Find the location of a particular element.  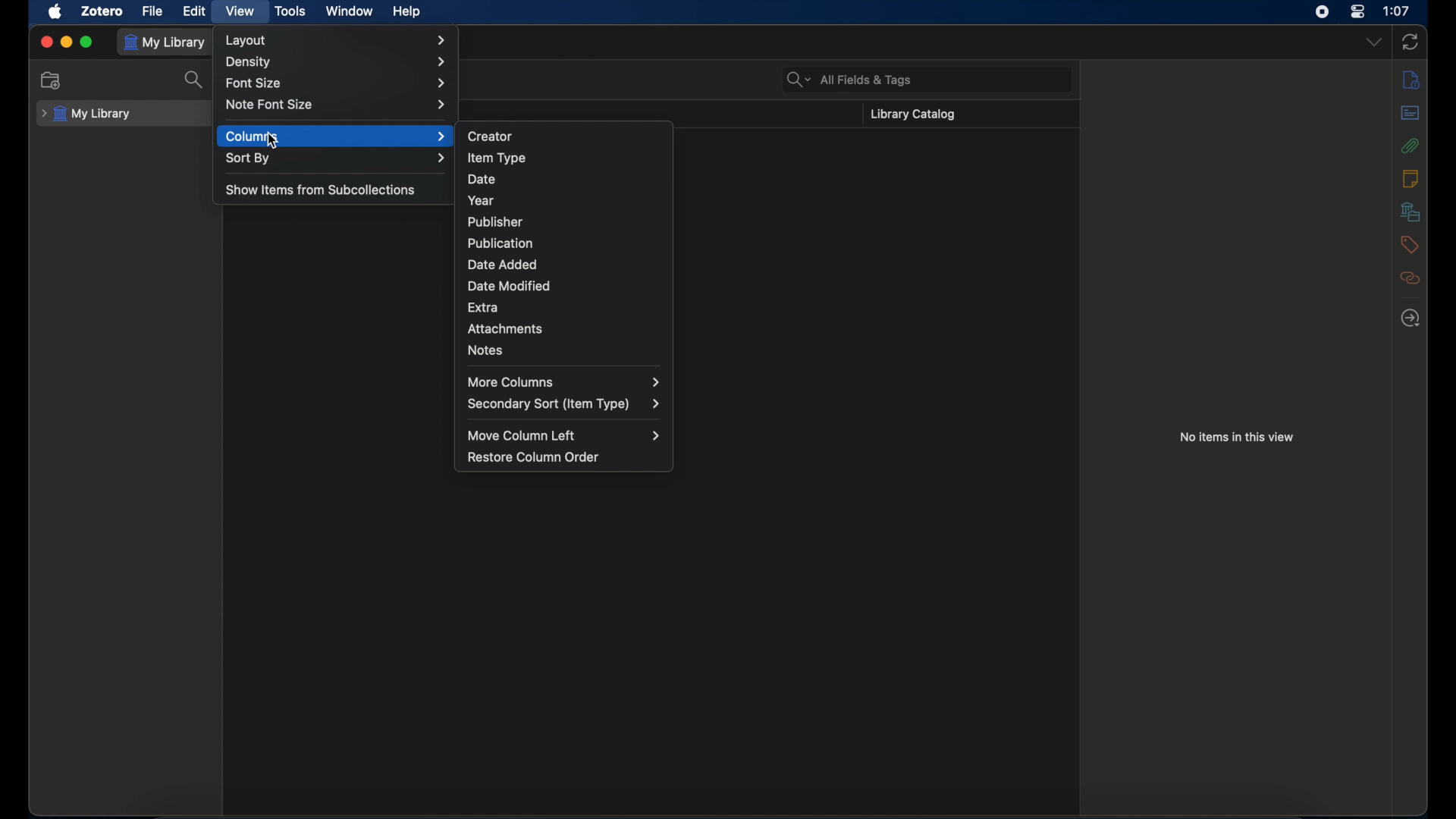

item type is located at coordinates (497, 158).